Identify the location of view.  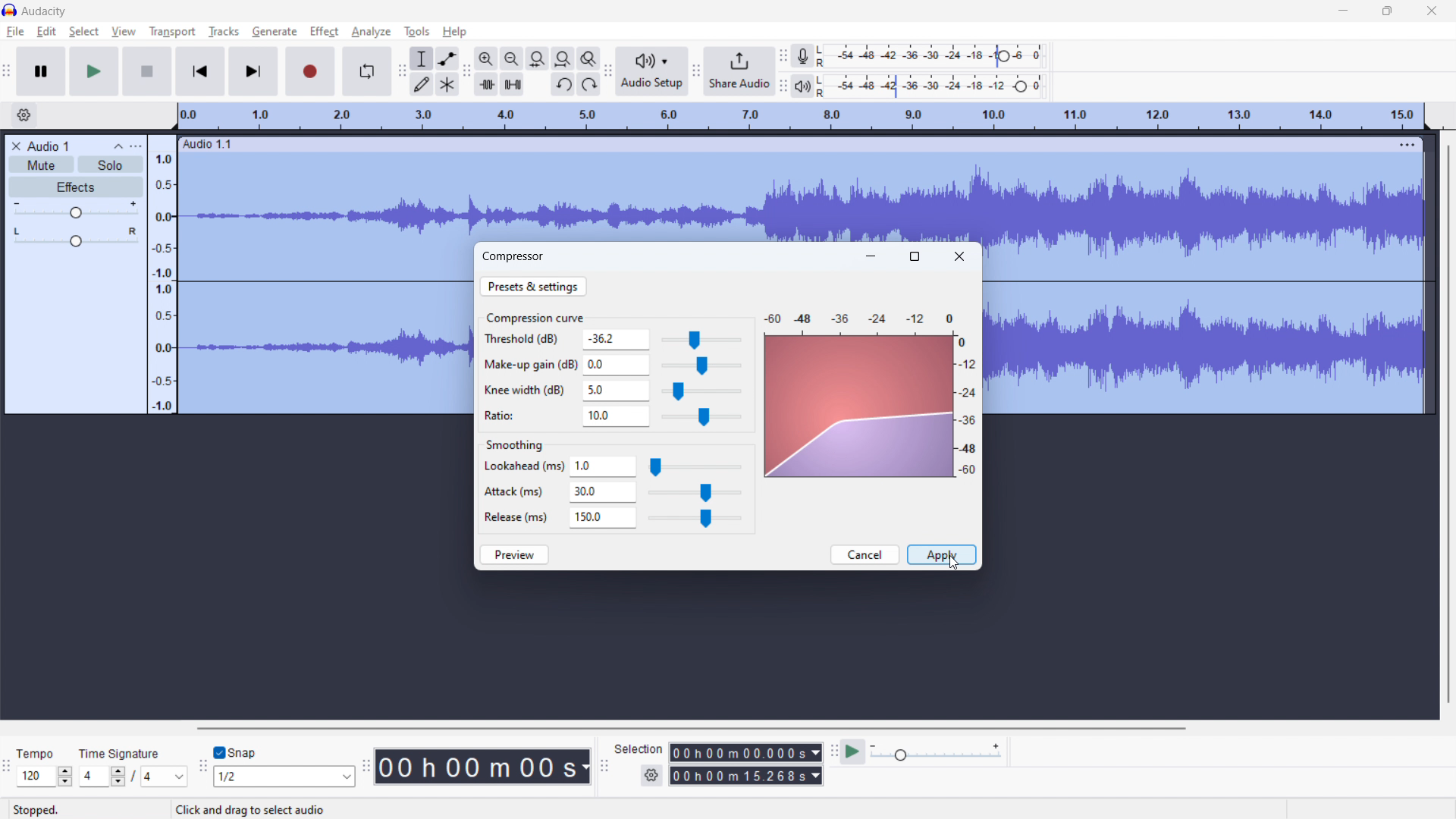
(124, 32).